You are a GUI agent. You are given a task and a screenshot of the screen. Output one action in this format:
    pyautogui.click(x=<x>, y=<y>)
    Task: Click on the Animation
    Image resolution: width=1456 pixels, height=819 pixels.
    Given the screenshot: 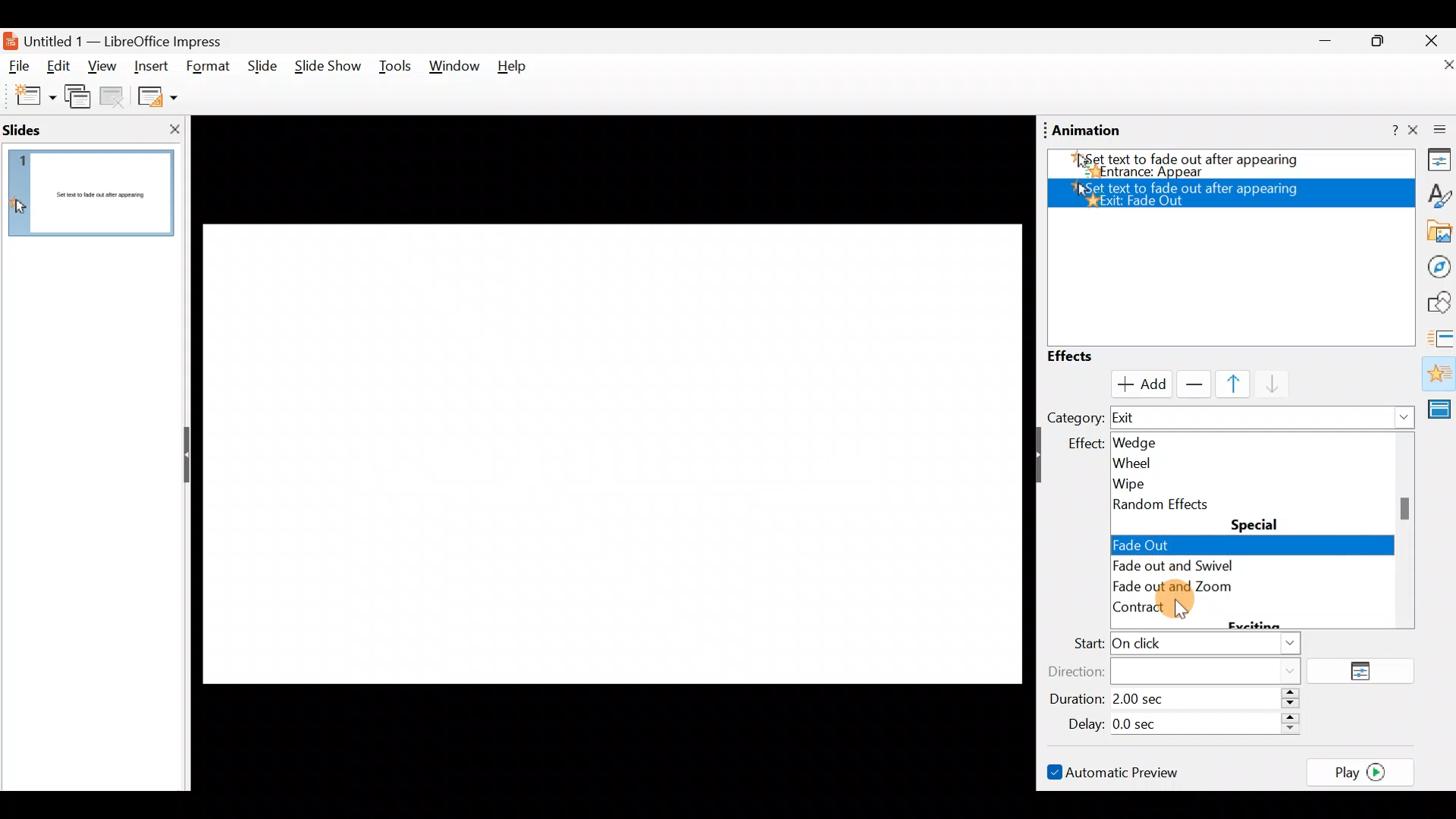 What is the action you would take?
    pyautogui.click(x=1087, y=130)
    